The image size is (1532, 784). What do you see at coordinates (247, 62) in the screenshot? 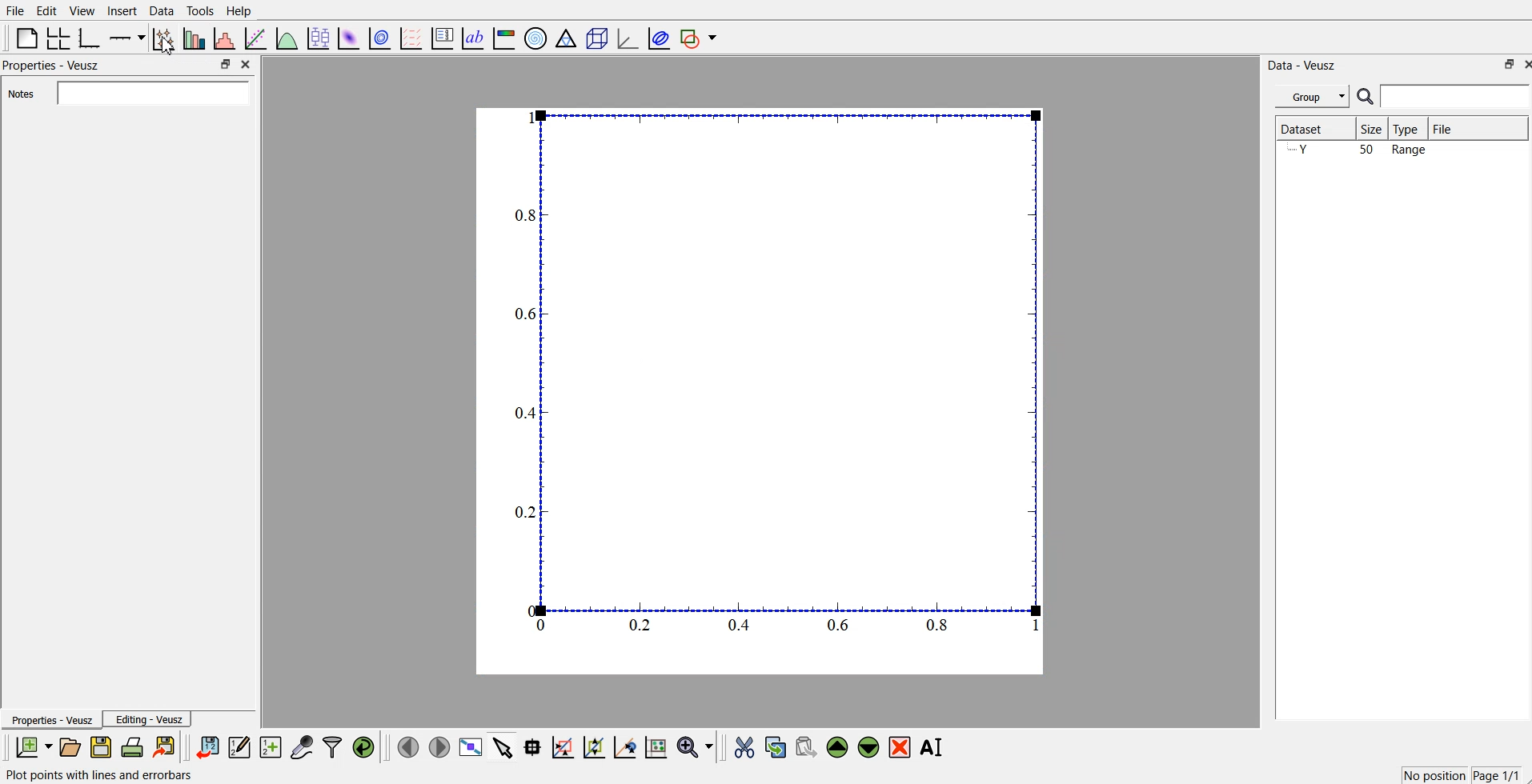
I see `close` at bounding box center [247, 62].